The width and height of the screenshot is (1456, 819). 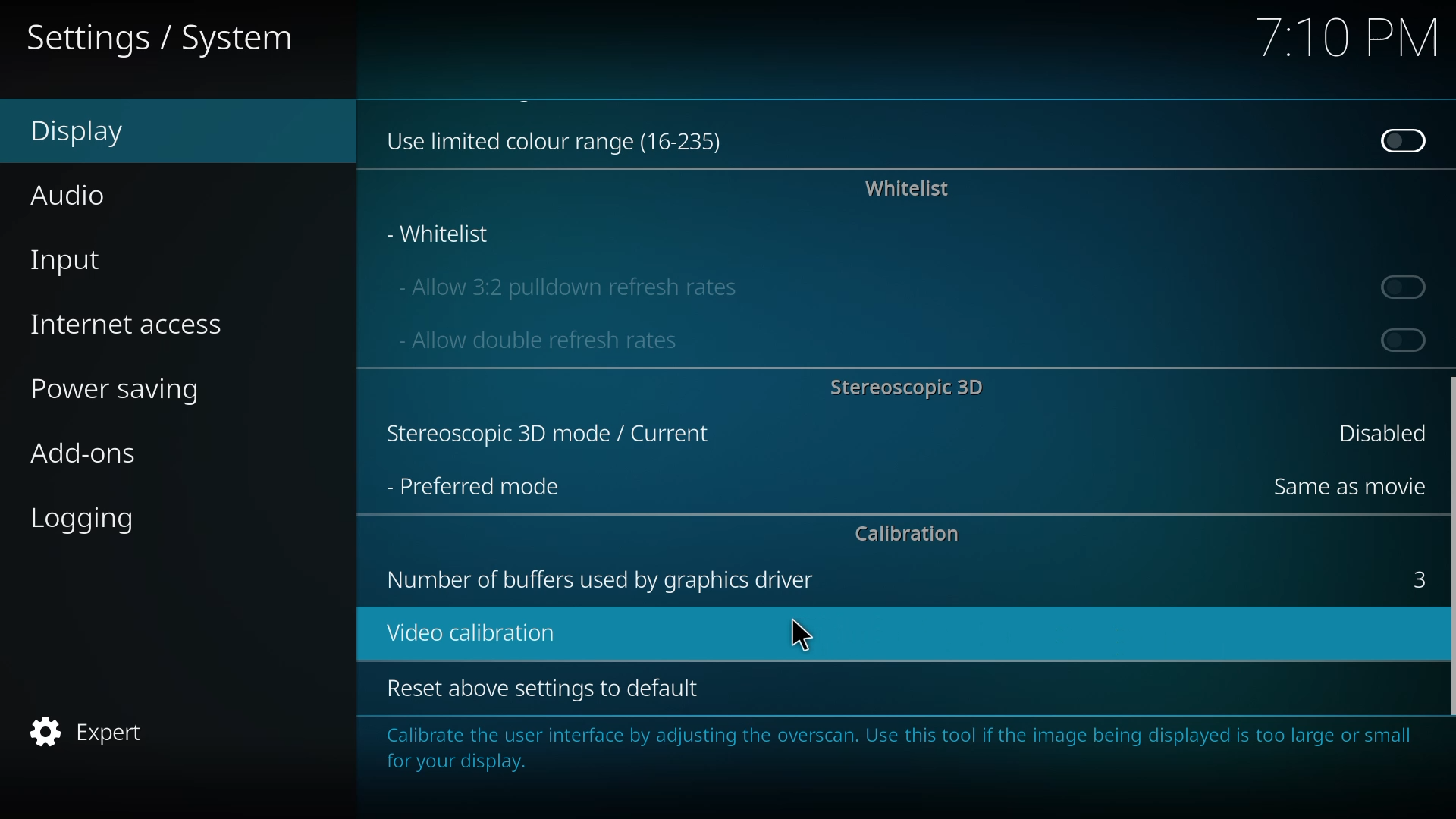 I want to click on logging, so click(x=89, y=519).